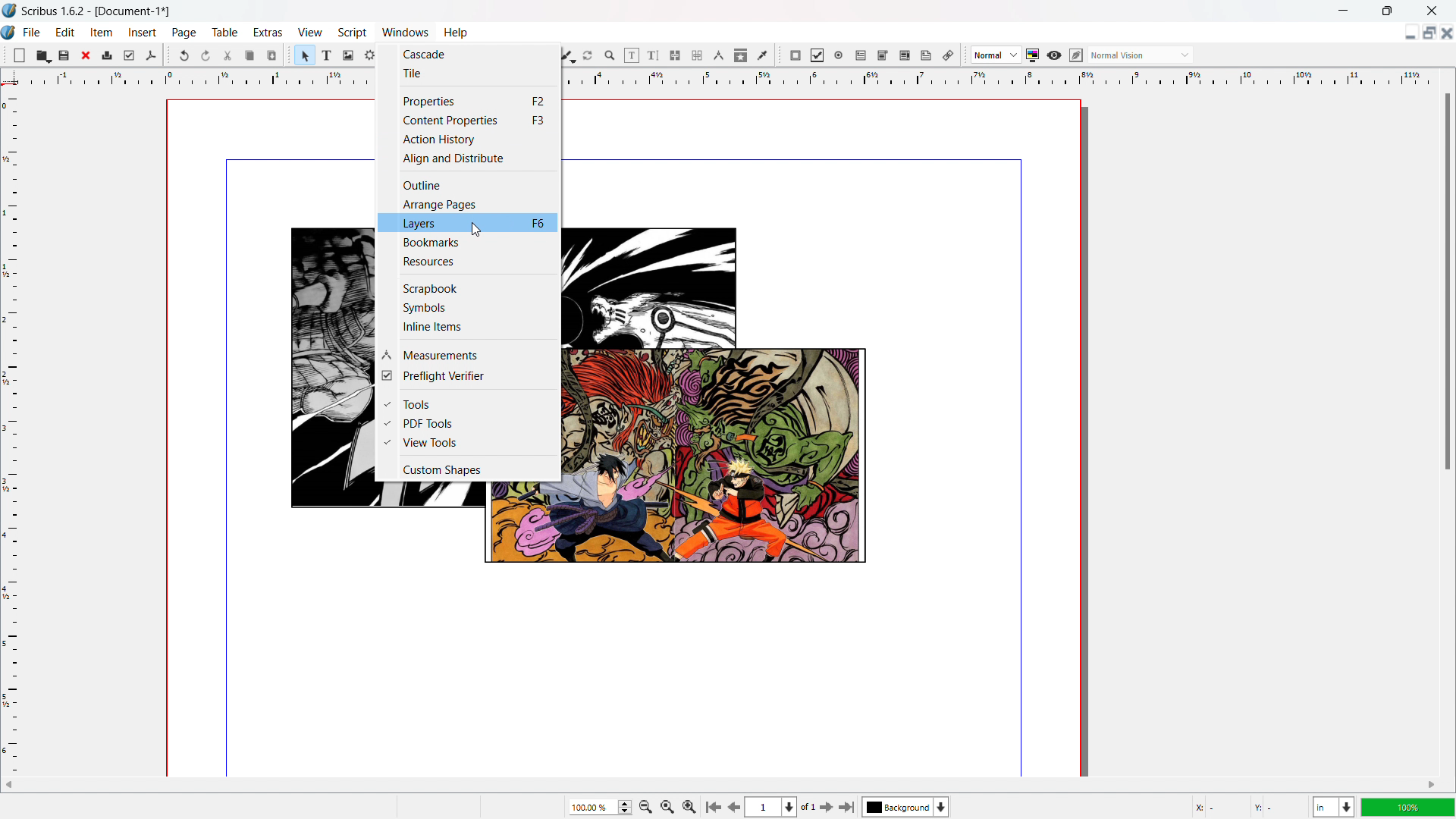 The height and width of the screenshot is (819, 1456). Describe the element at coordinates (150, 55) in the screenshot. I see `save as pdf` at that location.